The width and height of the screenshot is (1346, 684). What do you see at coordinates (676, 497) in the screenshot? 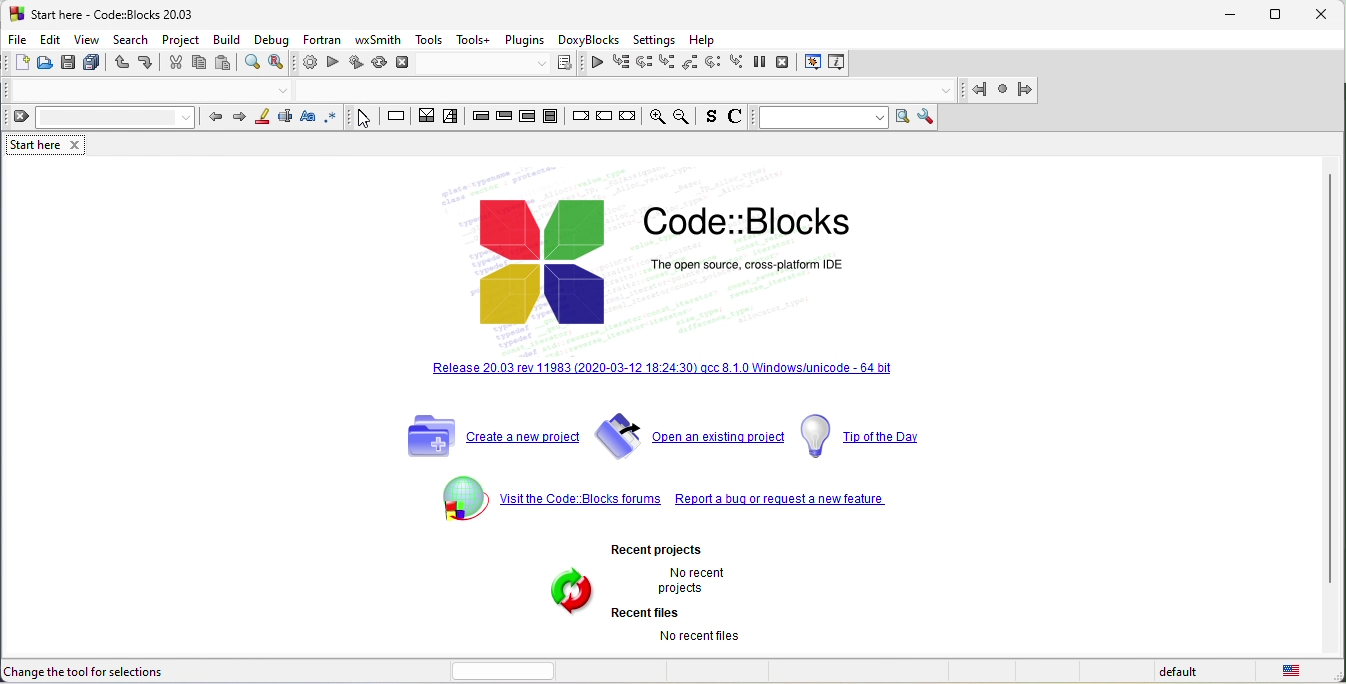
I see `visit the code blocks forum report a bug ` at bounding box center [676, 497].